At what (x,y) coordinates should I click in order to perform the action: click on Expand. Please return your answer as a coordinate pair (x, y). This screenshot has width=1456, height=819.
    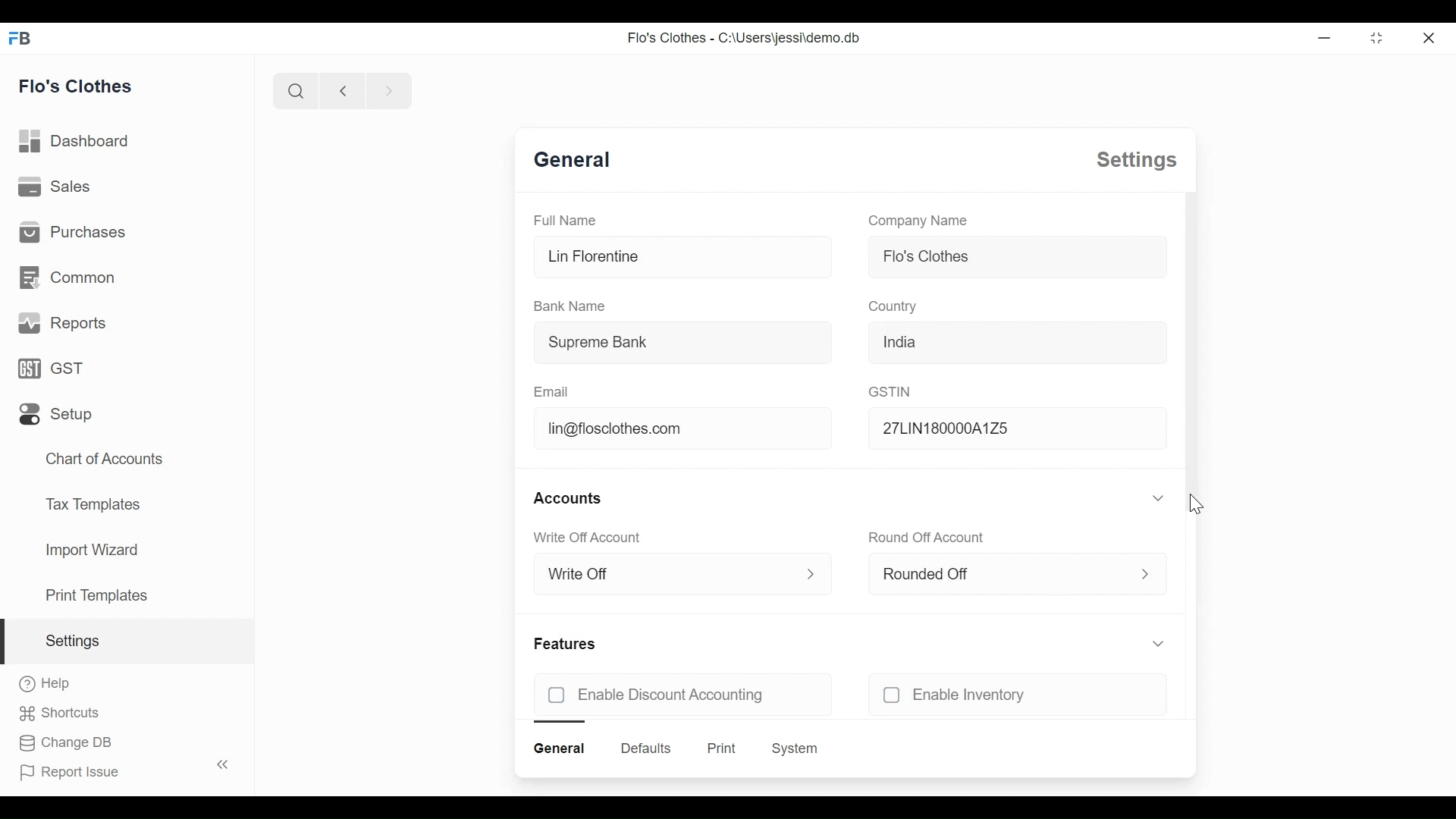
    Looking at the image, I should click on (812, 573).